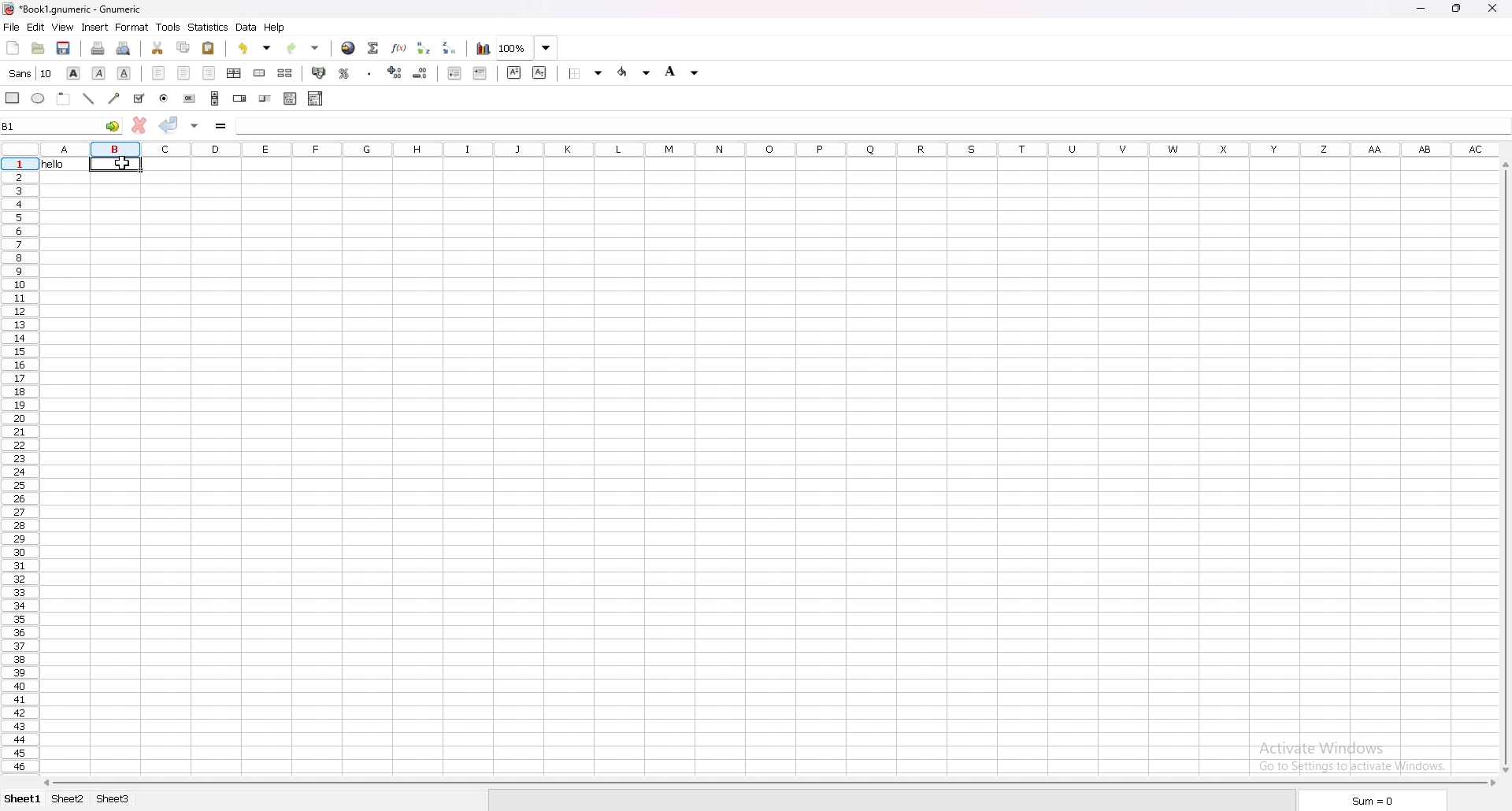  Describe the element at coordinates (867, 126) in the screenshot. I see `cell input` at that location.